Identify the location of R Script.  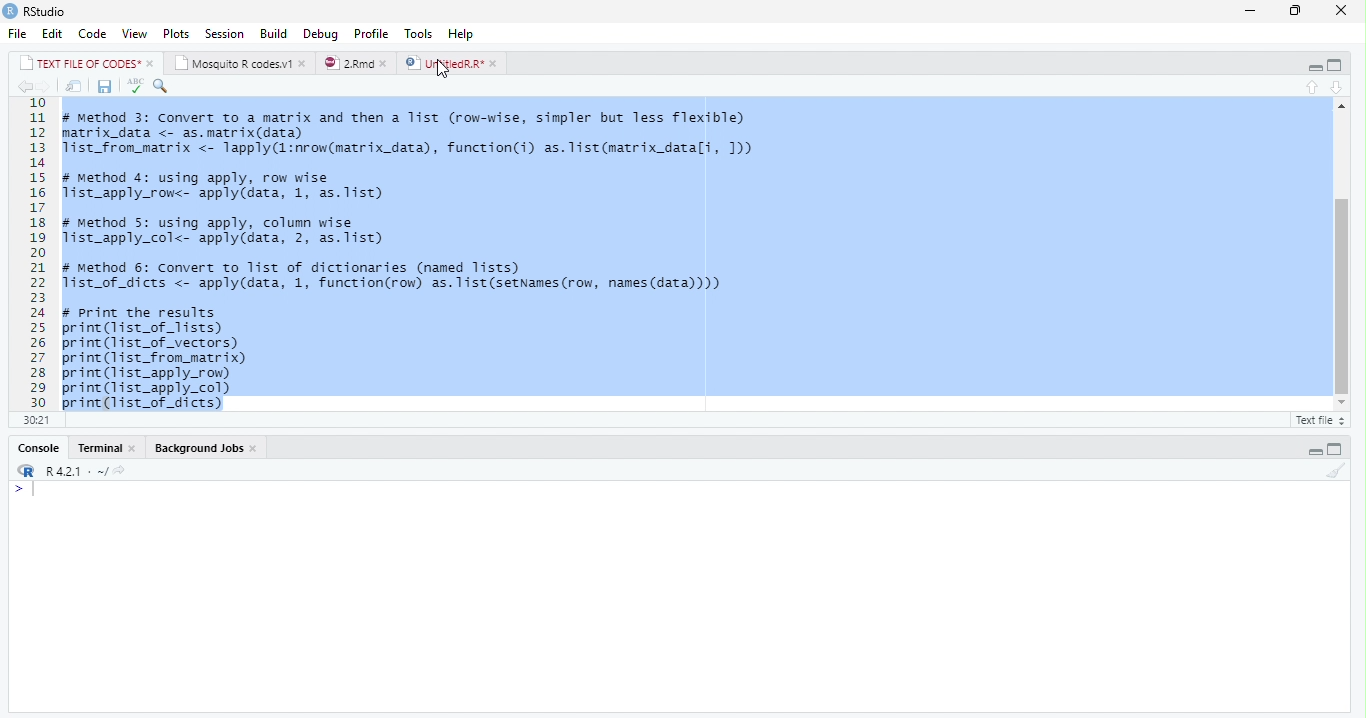
(1320, 419).